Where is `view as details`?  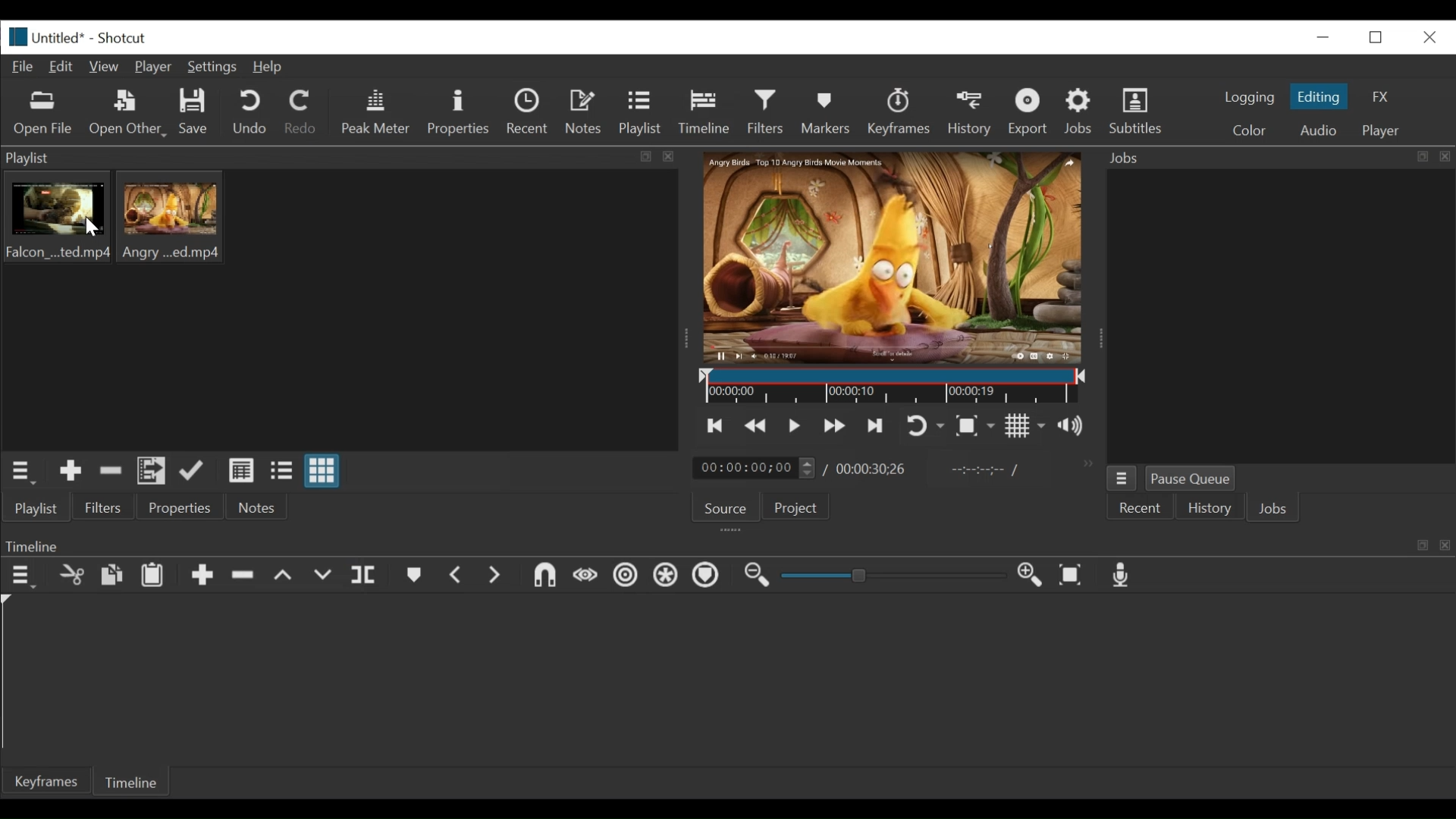 view as details is located at coordinates (242, 470).